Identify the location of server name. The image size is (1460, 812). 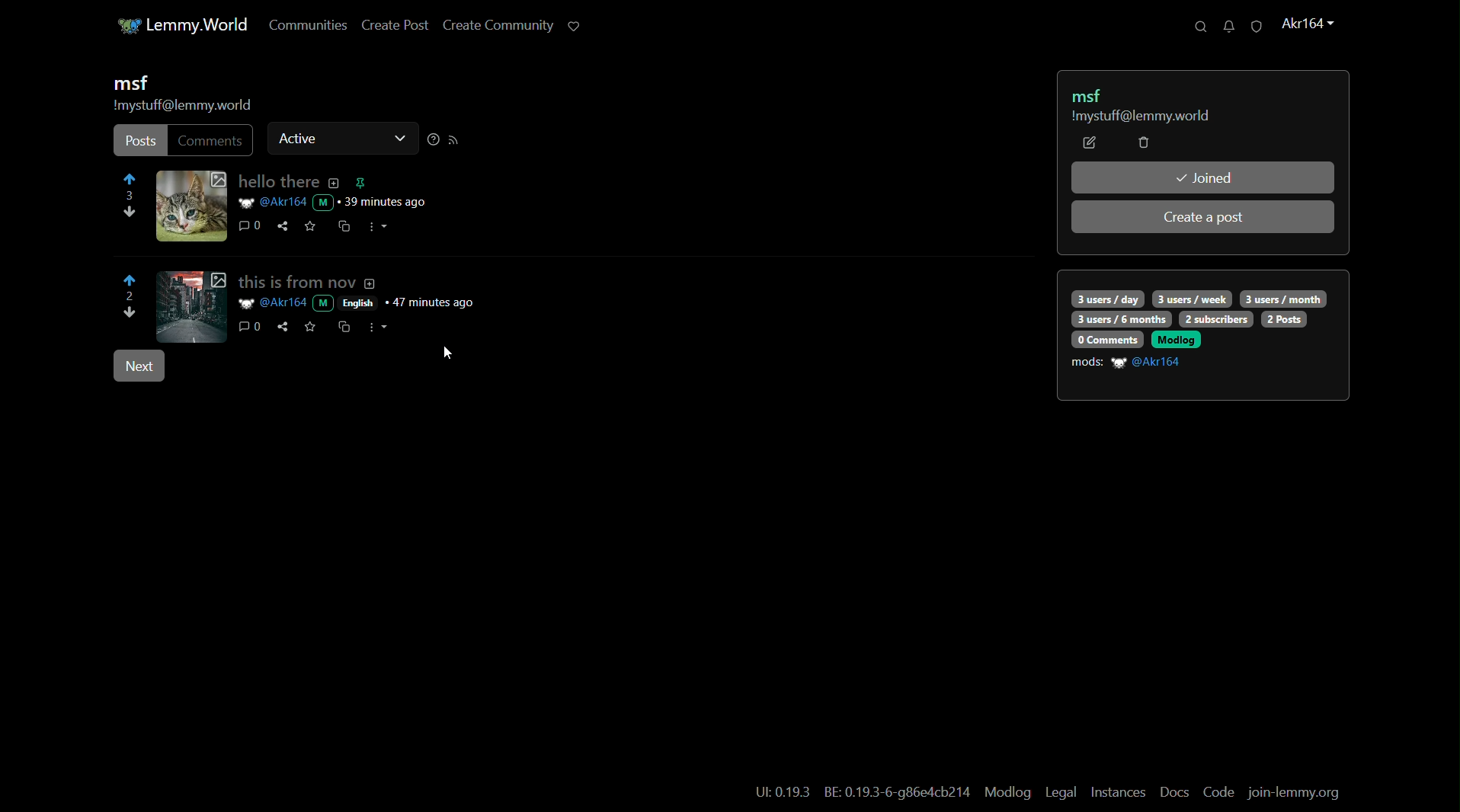
(200, 24).